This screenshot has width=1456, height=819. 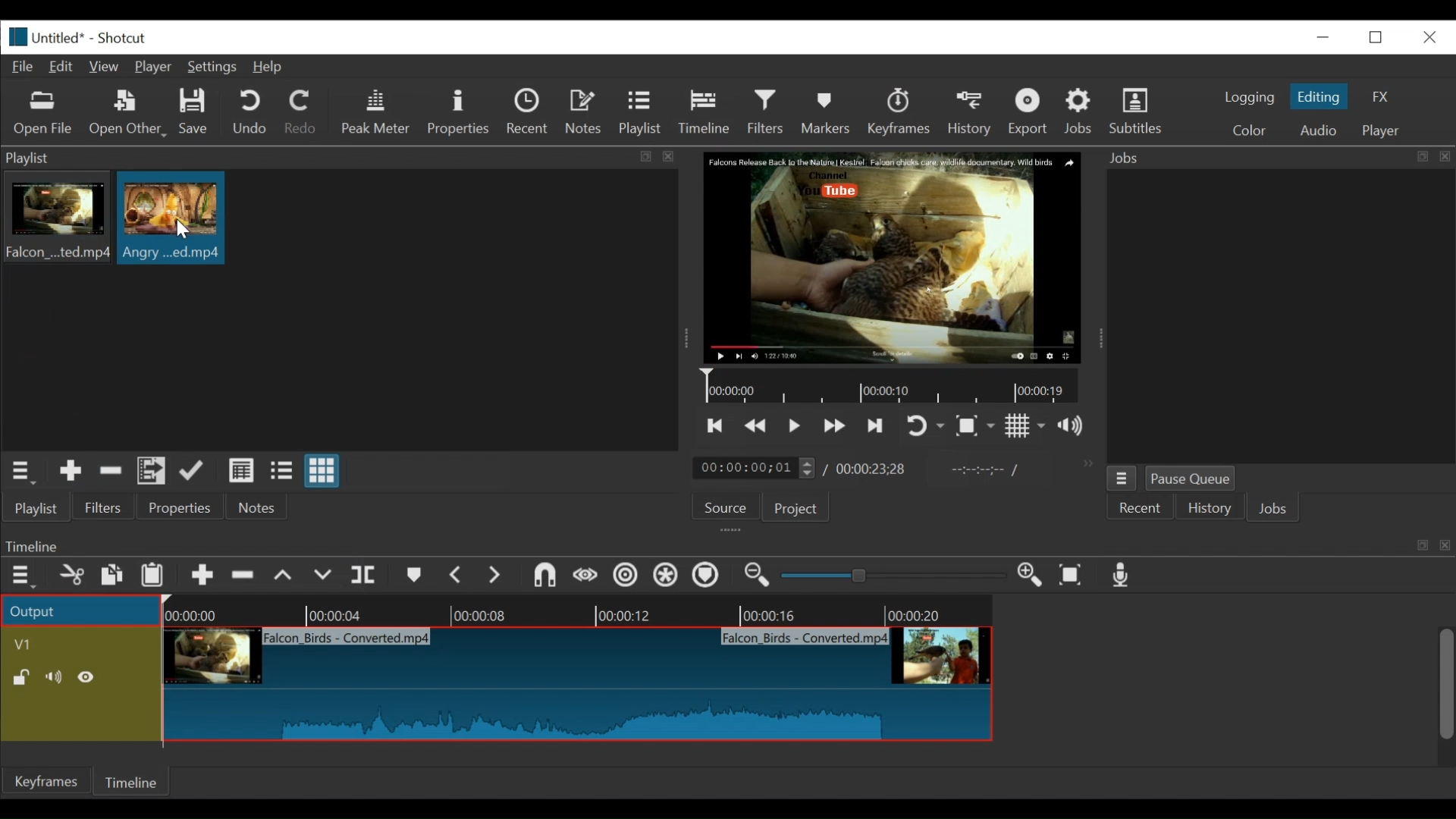 What do you see at coordinates (925, 427) in the screenshot?
I see `toggle player looping` at bounding box center [925, 427].